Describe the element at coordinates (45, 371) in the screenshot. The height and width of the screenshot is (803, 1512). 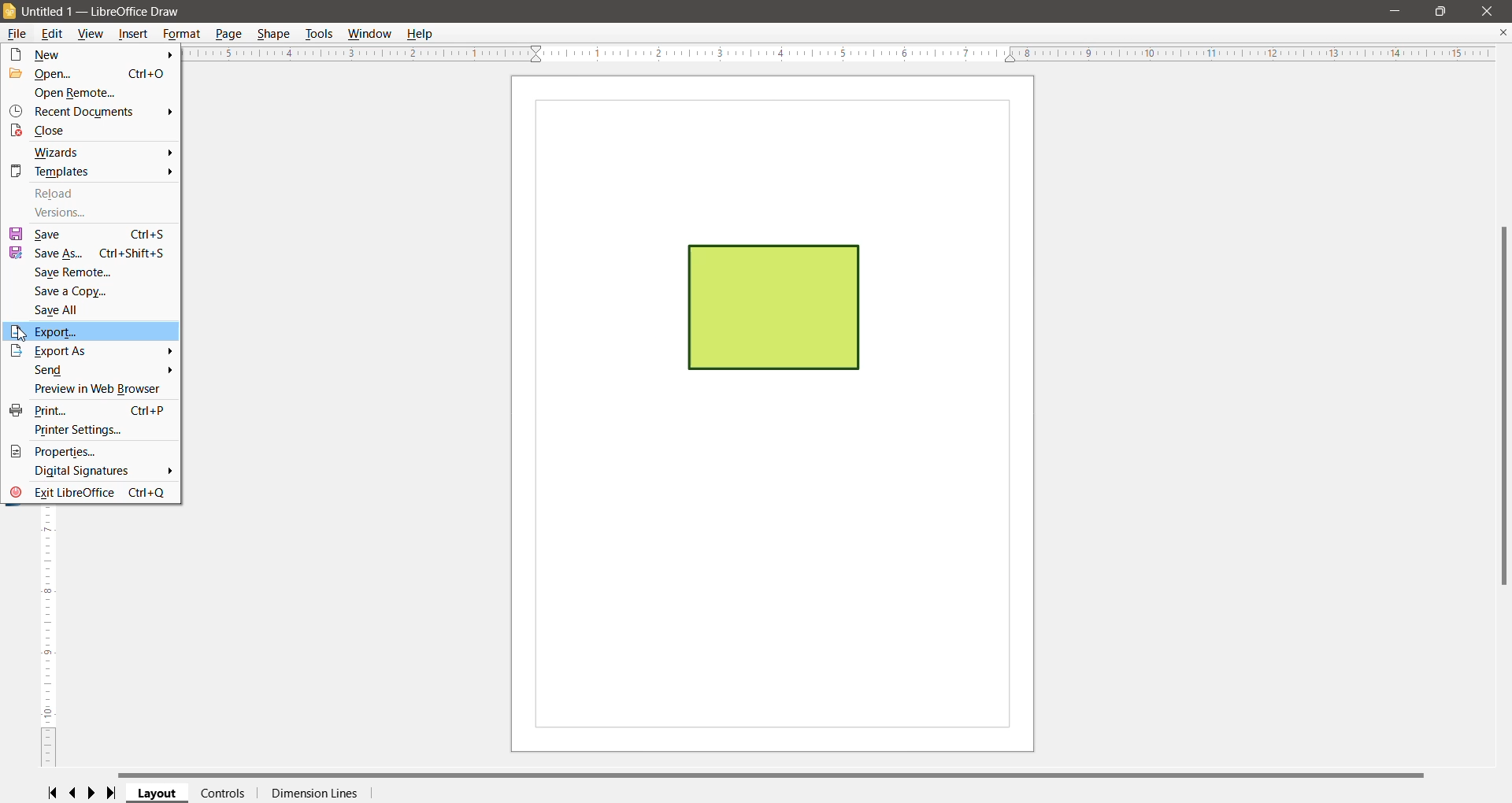
I see `Send` at that location.